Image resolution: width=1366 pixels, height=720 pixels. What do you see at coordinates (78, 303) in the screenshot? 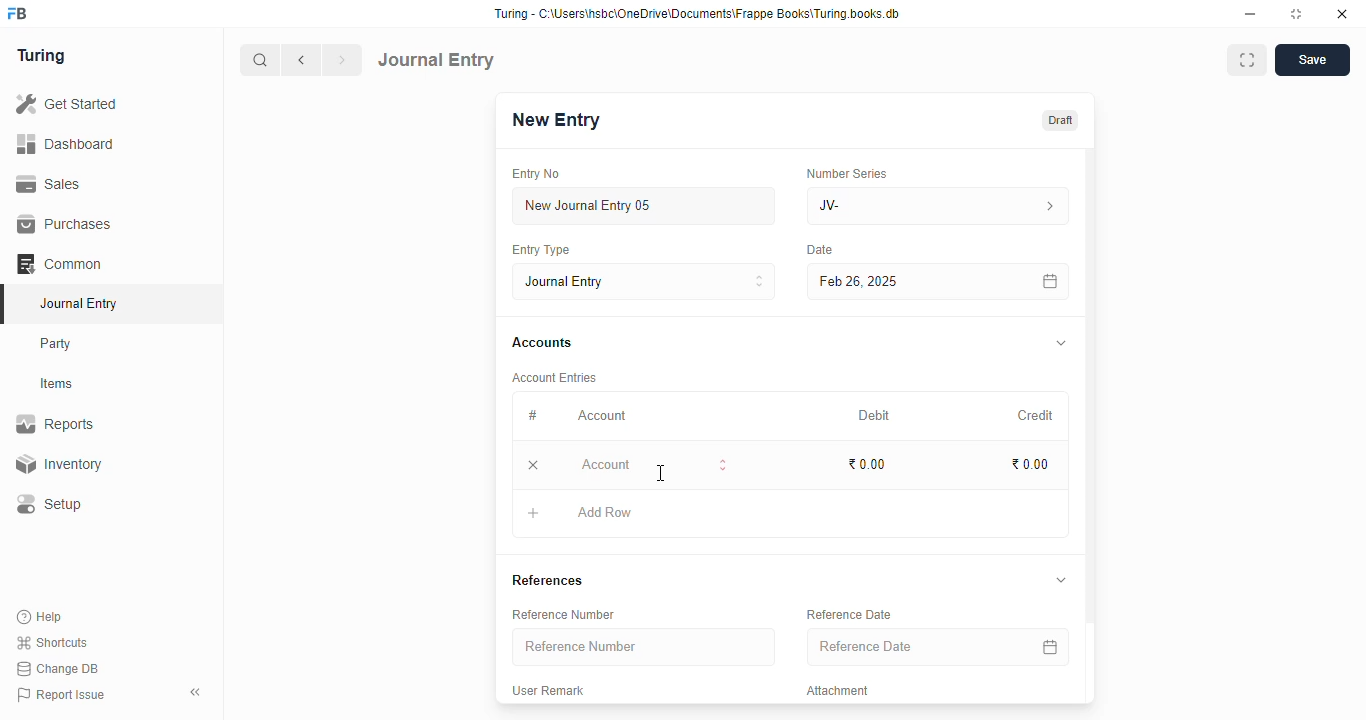
I see `journal entry` at bounding box center [78, 303].